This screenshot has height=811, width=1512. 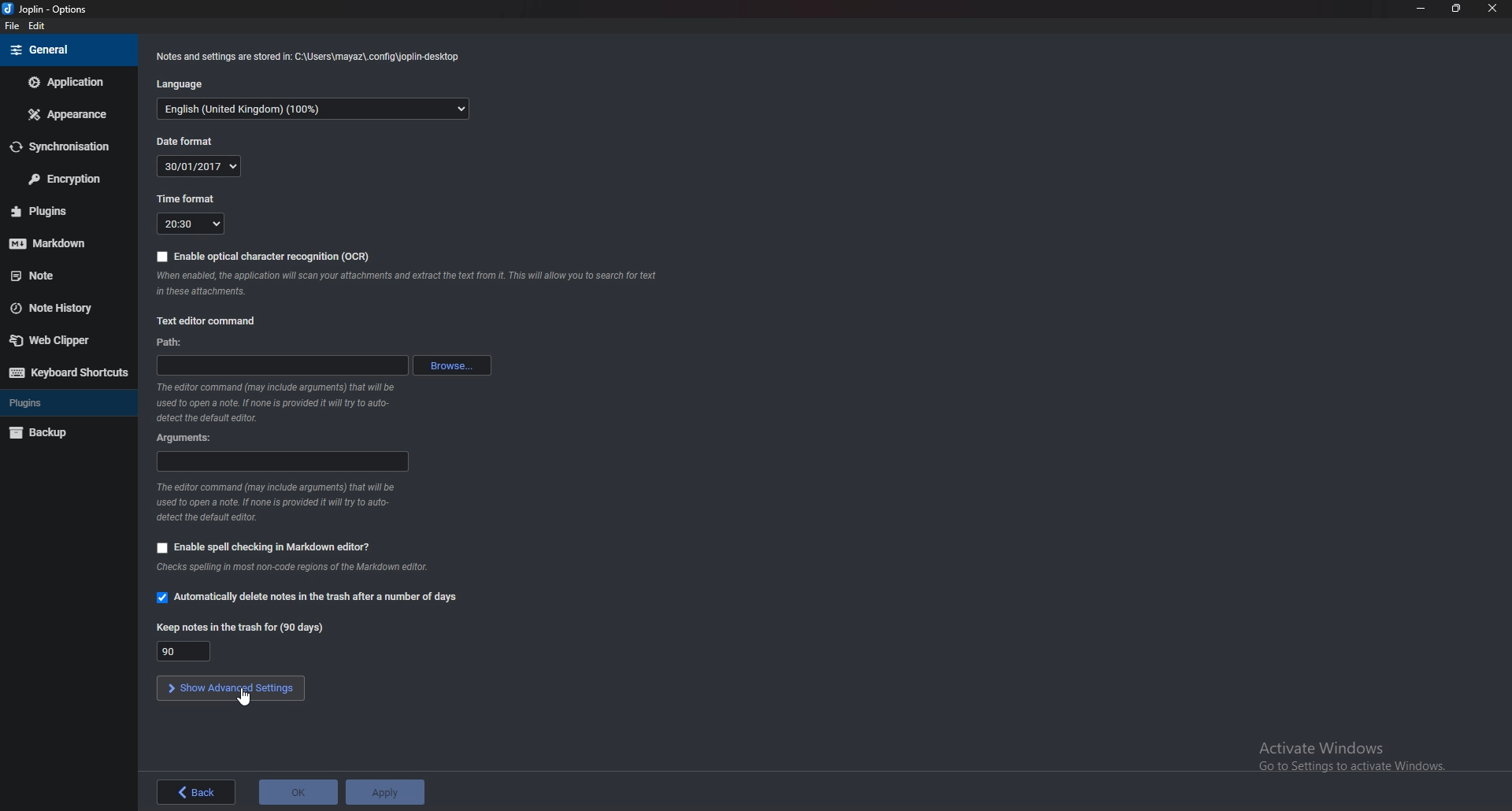 What do you see at coordinates (13, 26) in the screenshot?
I see `file` at bounding box center [13, 26].